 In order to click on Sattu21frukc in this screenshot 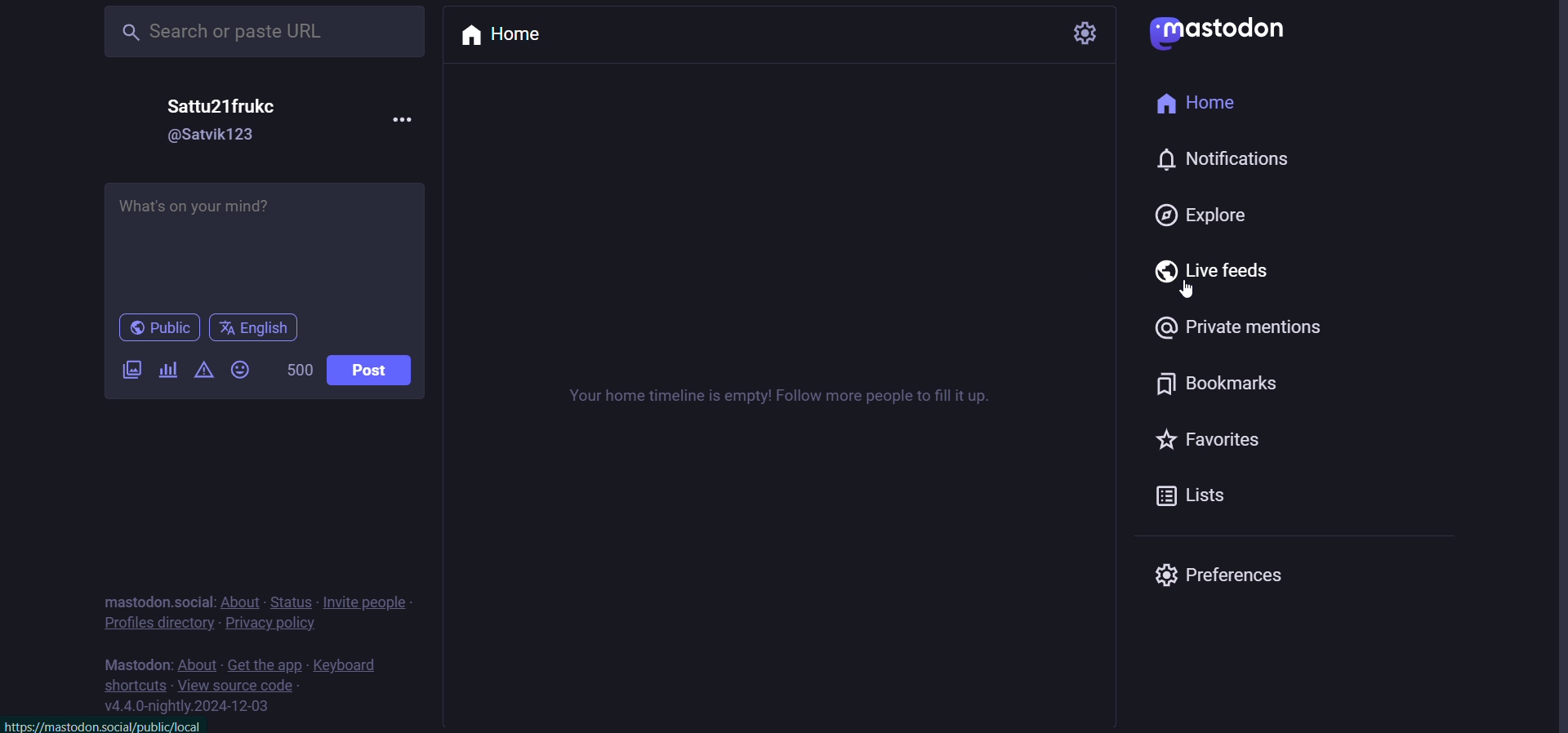, I will do `click(240, 105)`.